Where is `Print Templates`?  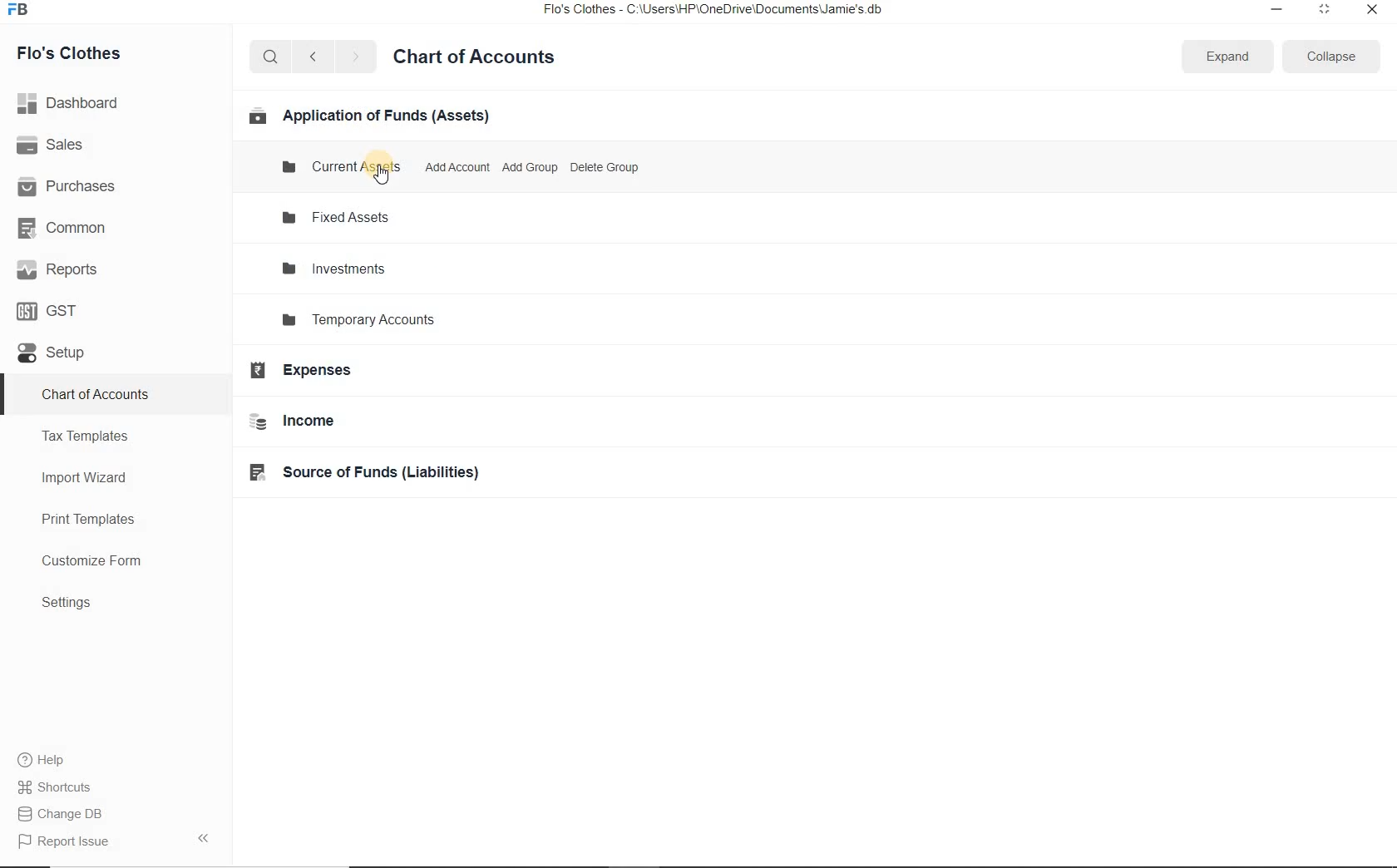 Print Templates is located at coordinates (104, 519).